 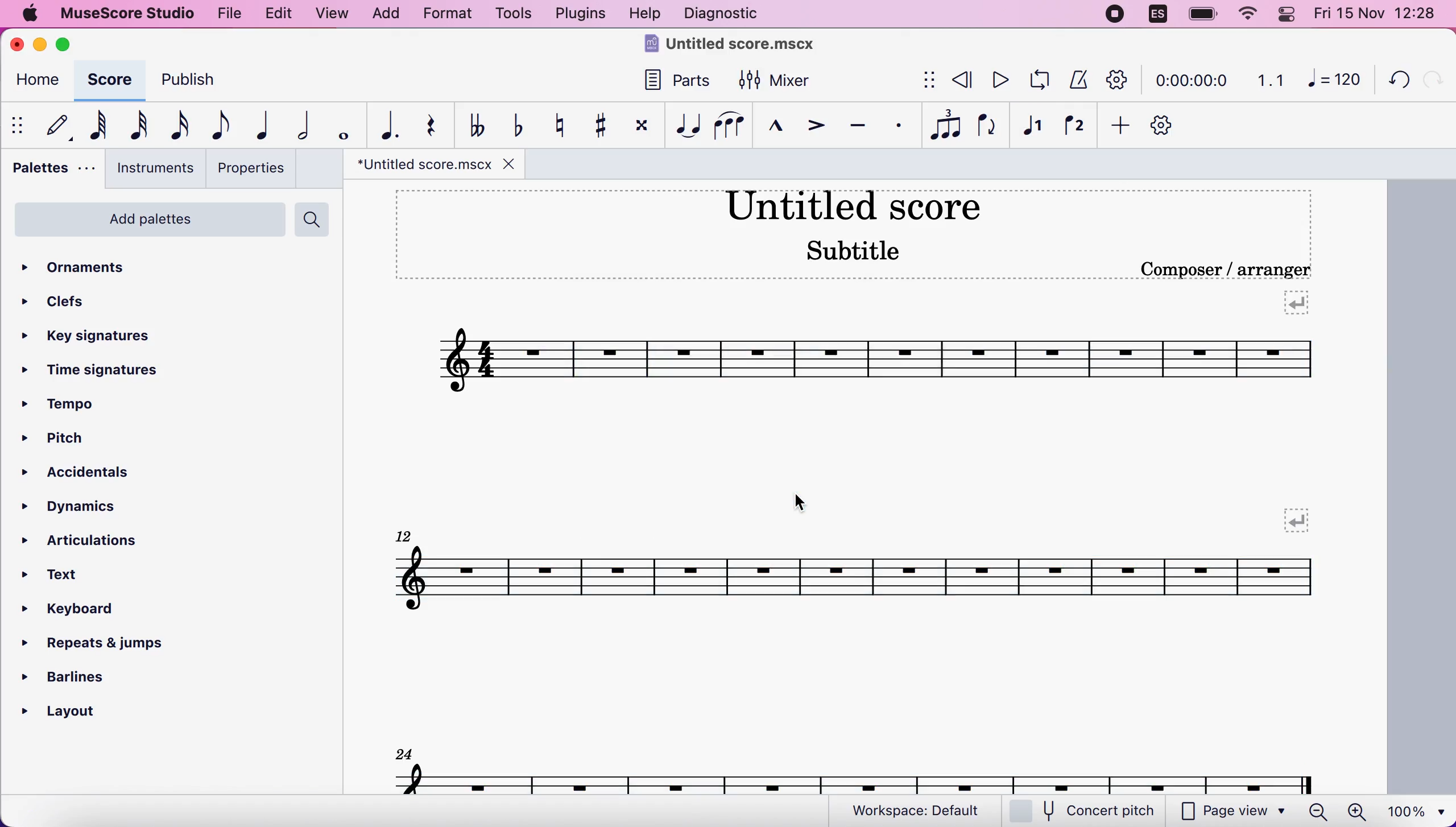 I want to click on format, so click(x=447, y=15).